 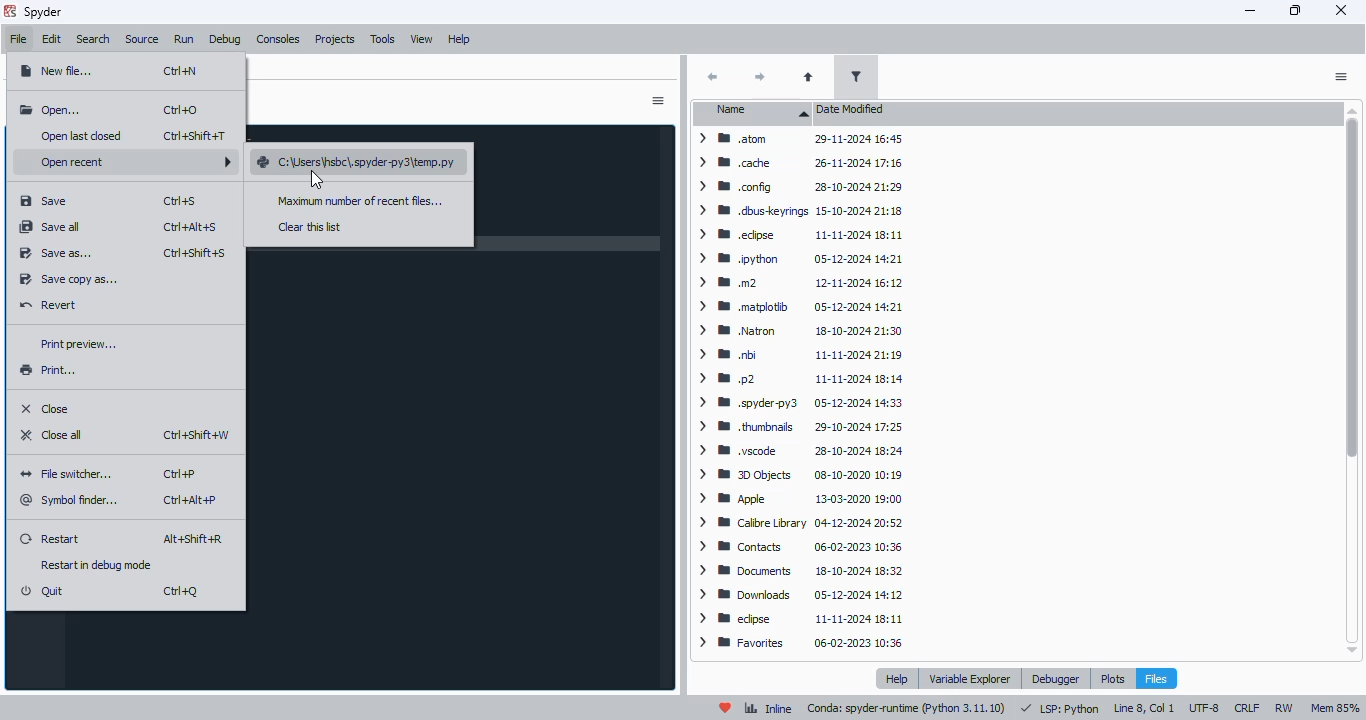 I want to click on print, so click(x=48, y=370).